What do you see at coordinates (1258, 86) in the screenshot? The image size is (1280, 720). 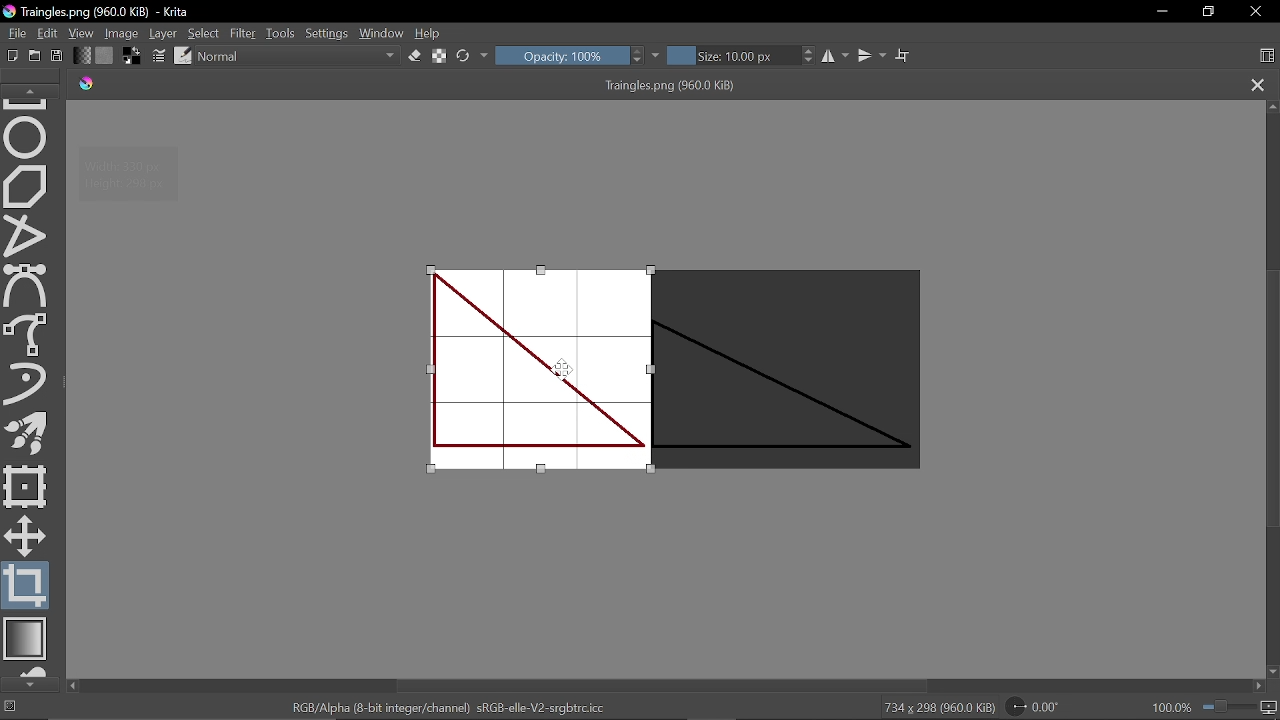 I see `Close tab` at bounding box center [1258, 86].